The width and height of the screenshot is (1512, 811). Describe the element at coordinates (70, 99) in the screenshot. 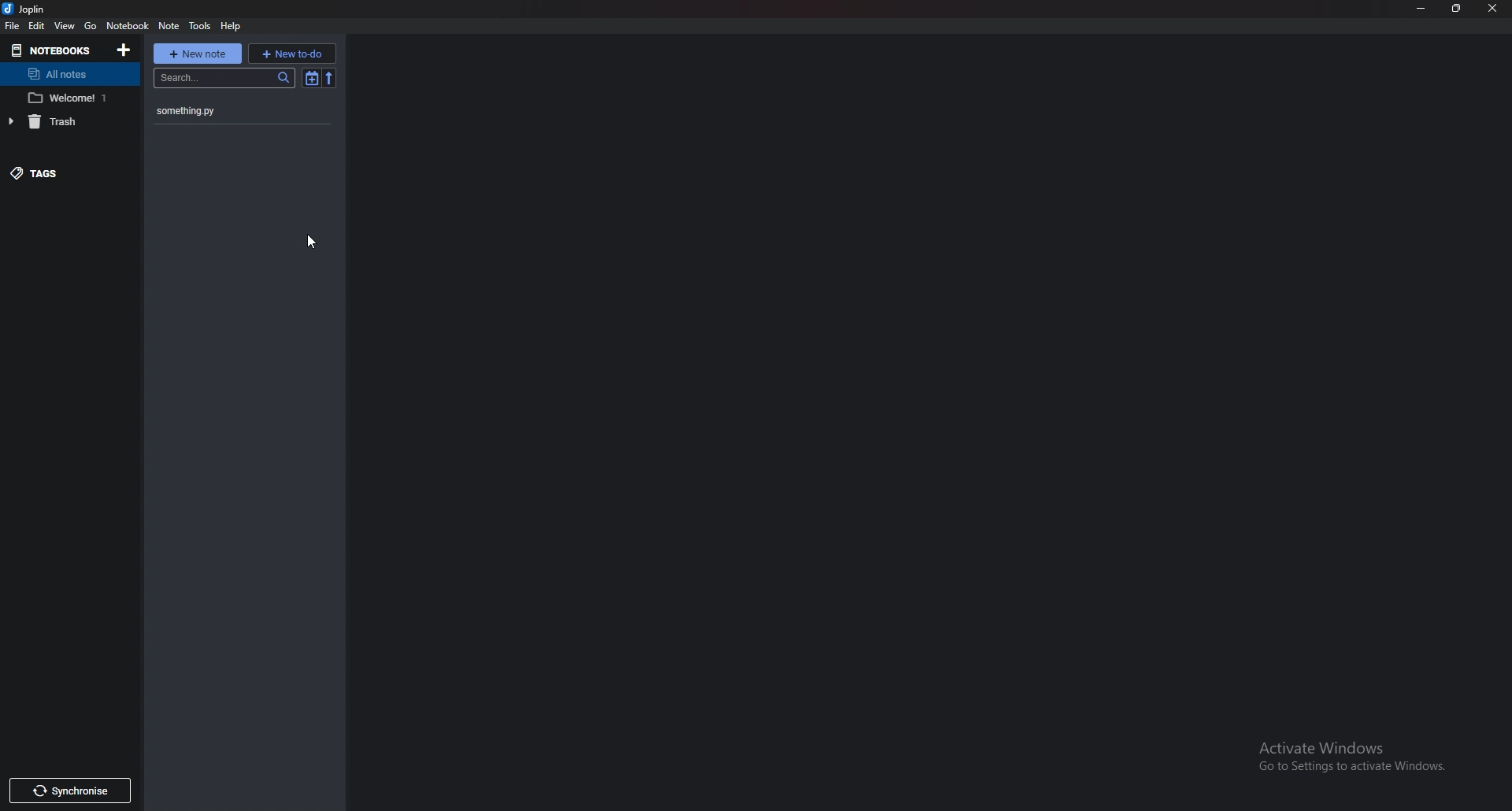

I see `notebook` at that location.